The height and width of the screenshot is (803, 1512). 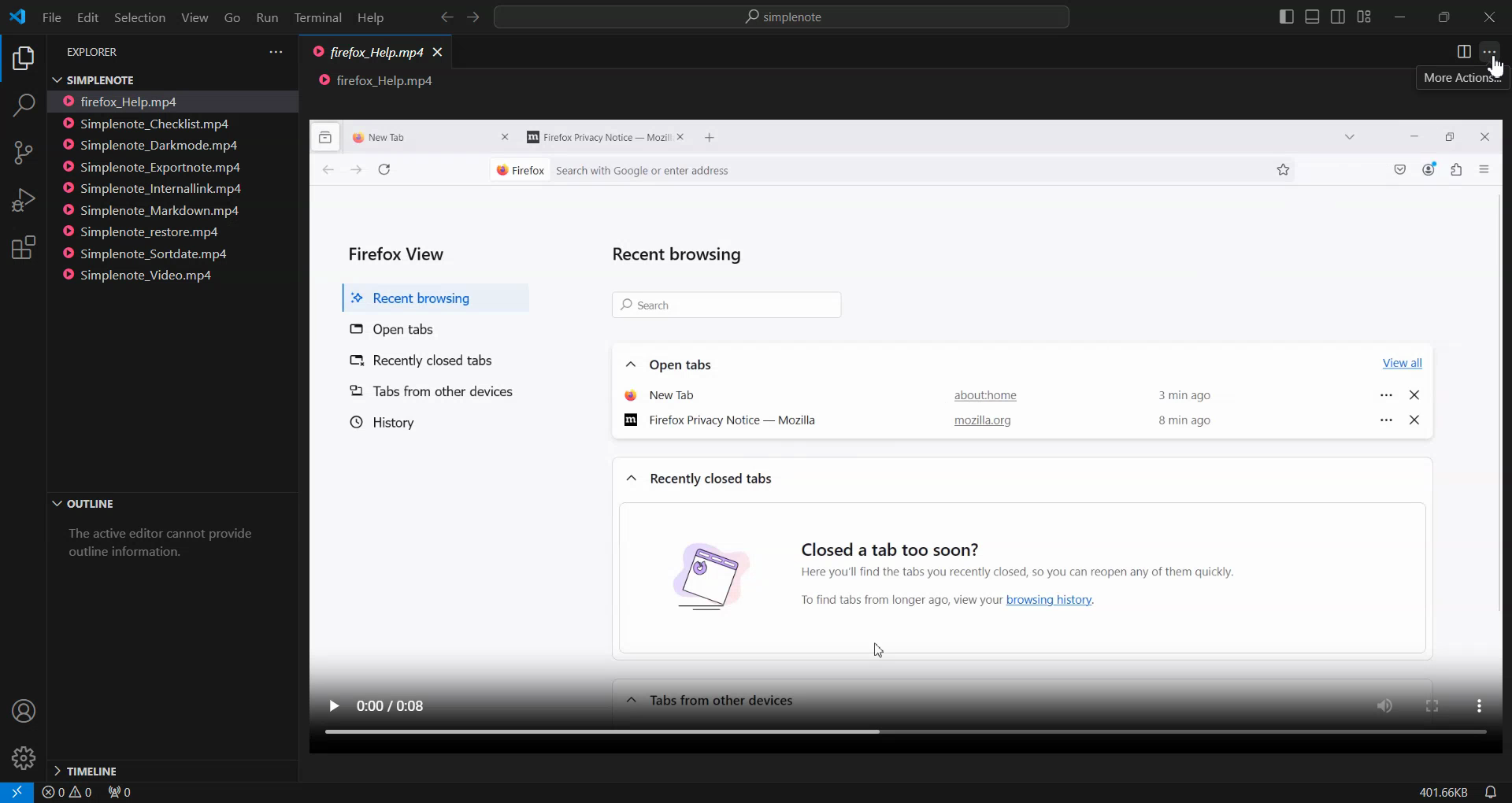 What do you see at coordinates (1065, 600) in the screenshot?
I see ` browsing history.` at bounding box center [1065, 600].